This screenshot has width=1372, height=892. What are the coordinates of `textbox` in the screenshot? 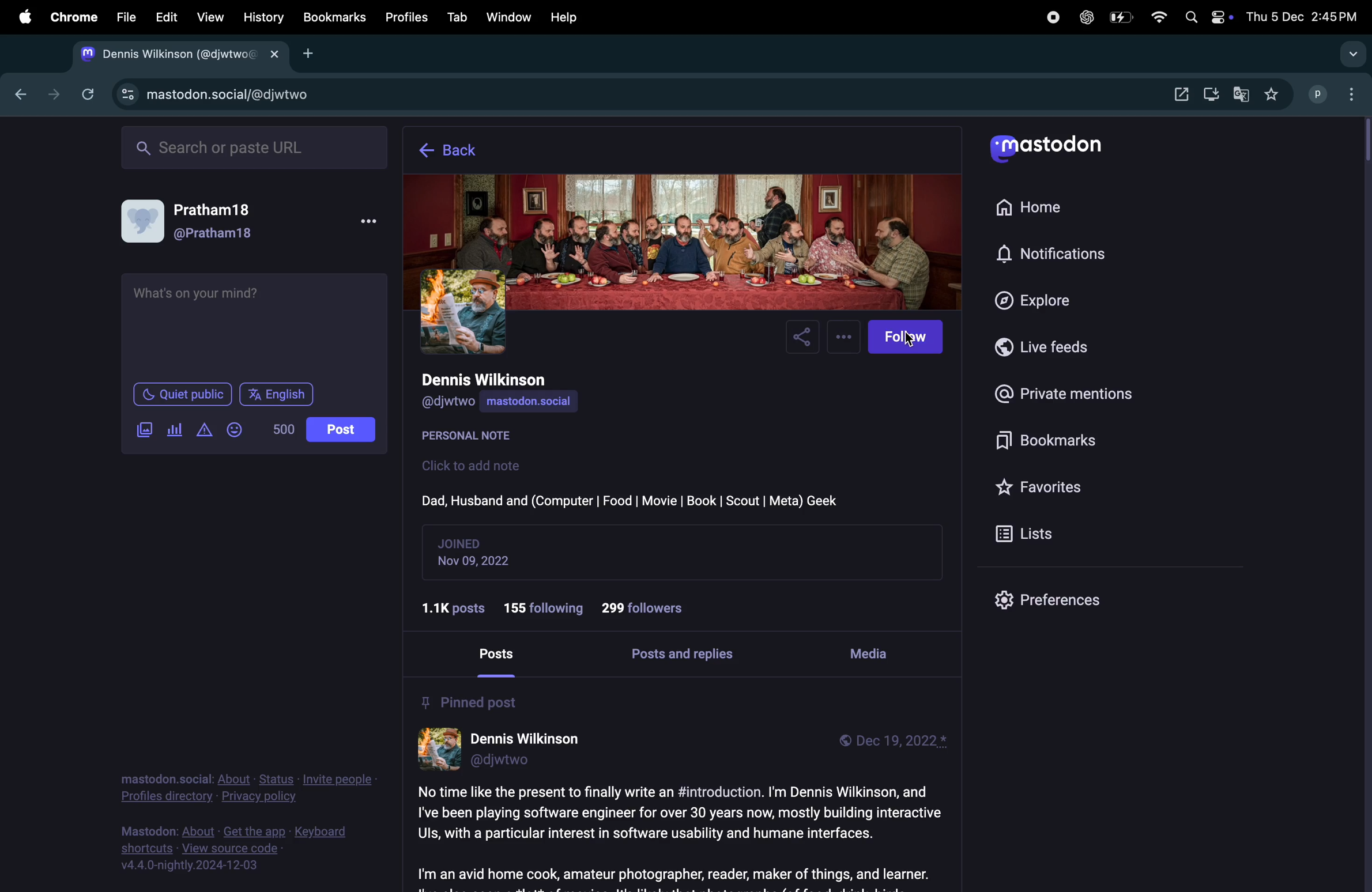 It's located at (256, 325).